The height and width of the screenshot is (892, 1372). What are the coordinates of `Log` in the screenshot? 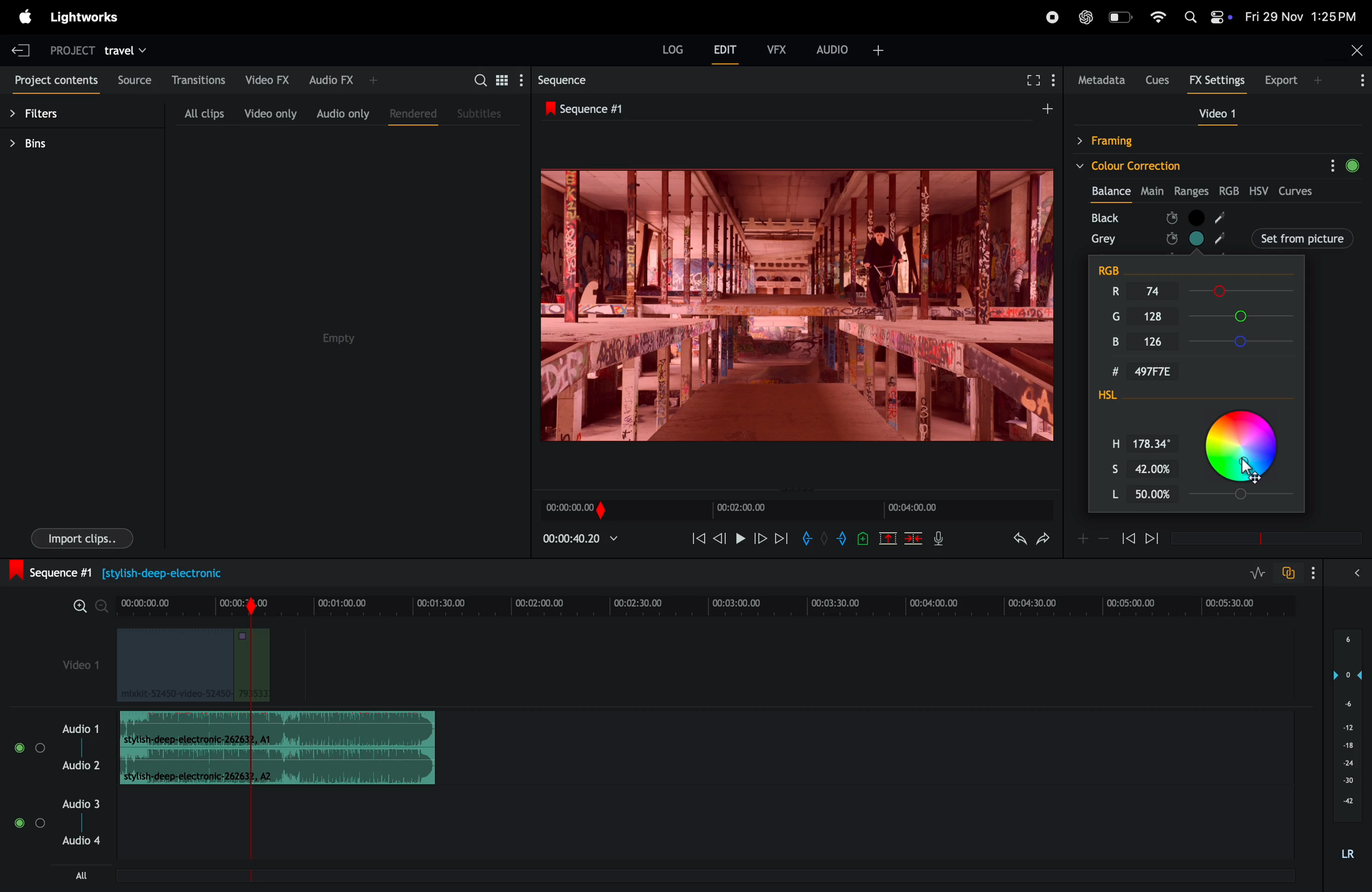 It's located at (673, 49).